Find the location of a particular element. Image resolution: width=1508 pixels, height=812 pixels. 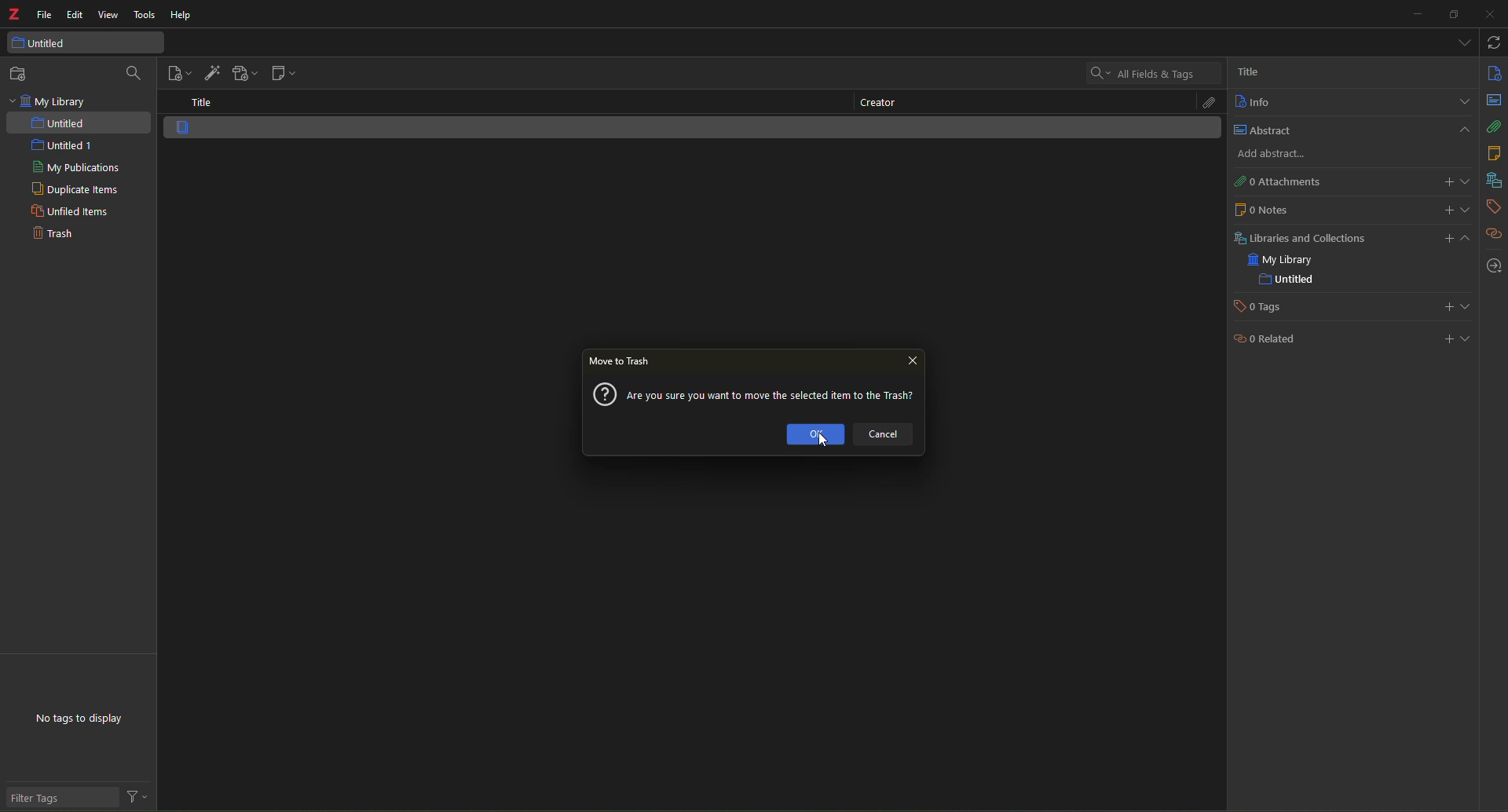

move to trash is located at coordinates (626, 360).